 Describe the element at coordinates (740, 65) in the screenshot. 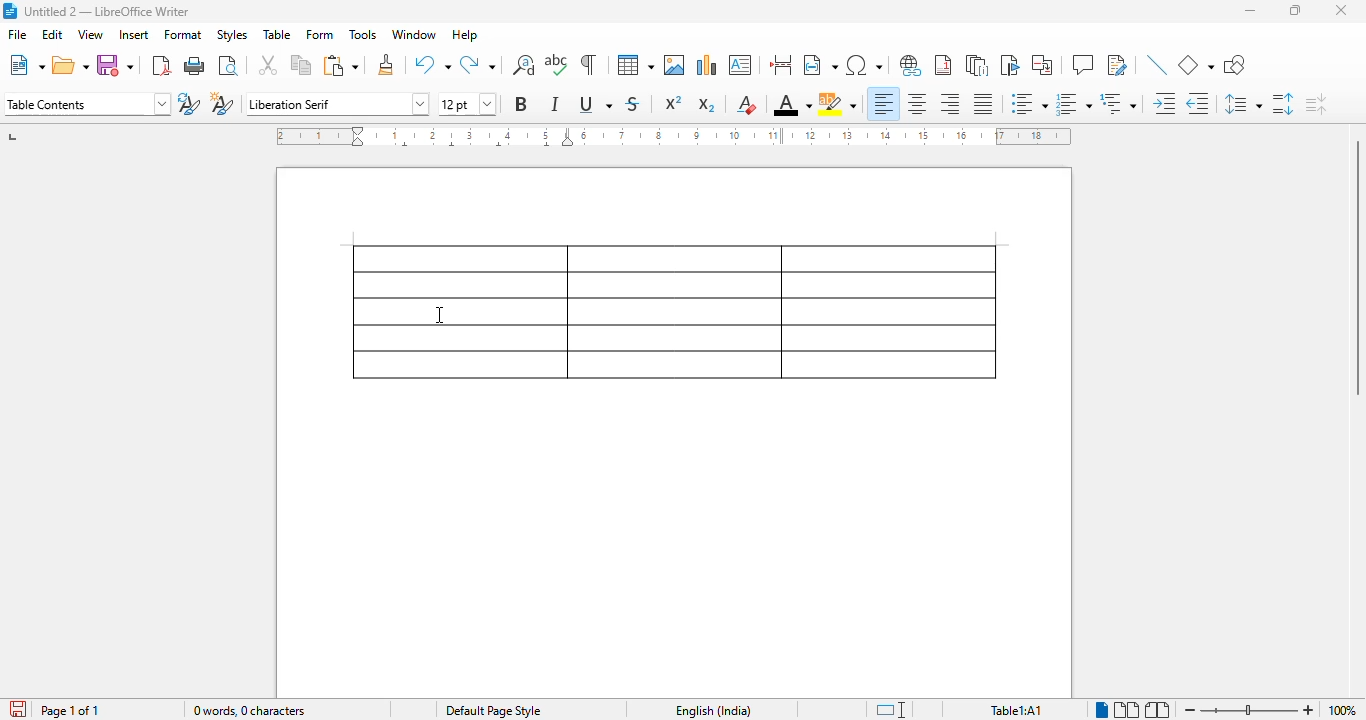

I see `insert text box` at that location.